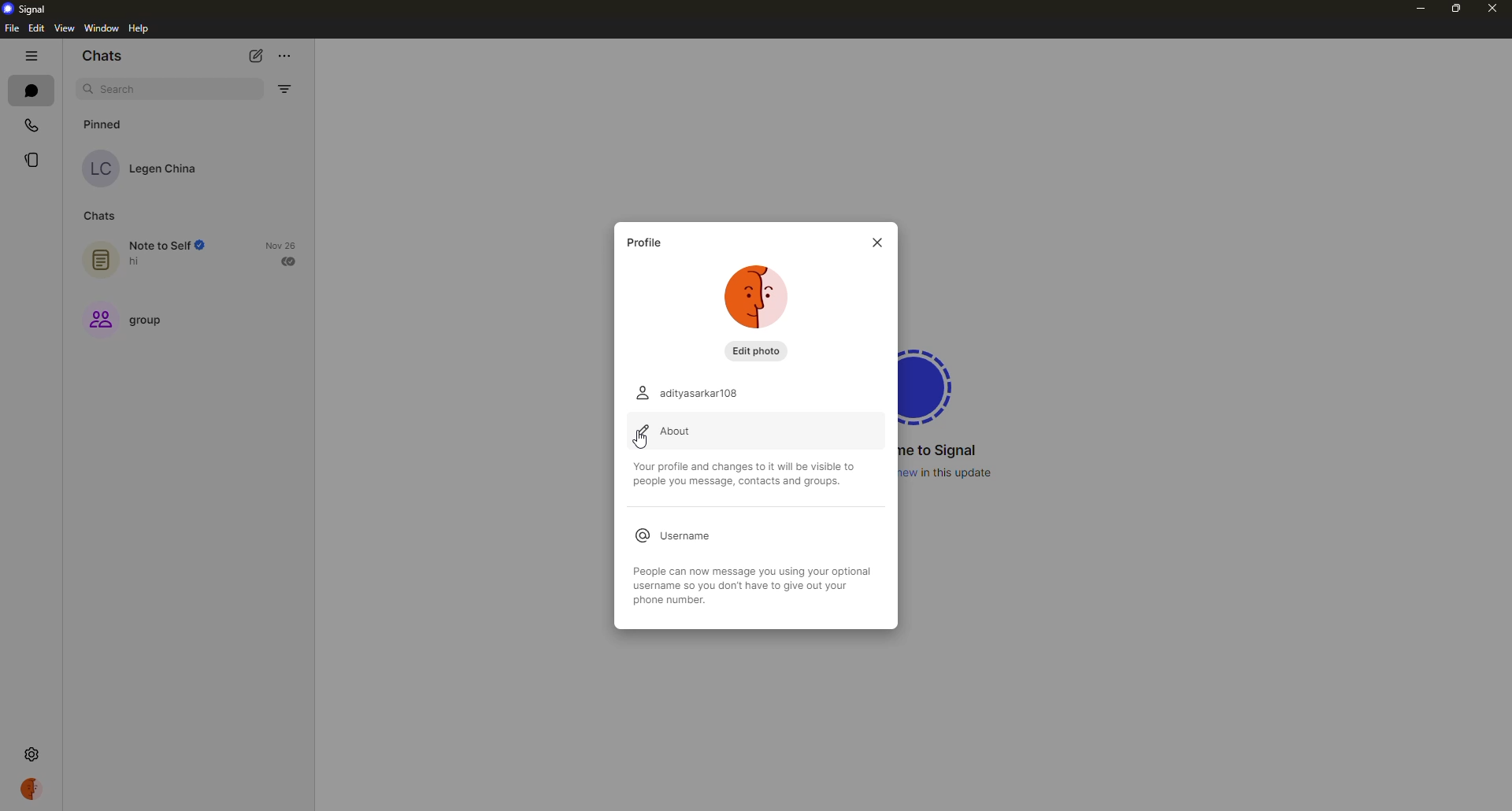 This screenshot has height=811, width=1512. What do you see at coordinates (260, 54) in the screenshot?
I see `new chat` at bounding box center [260, 54].